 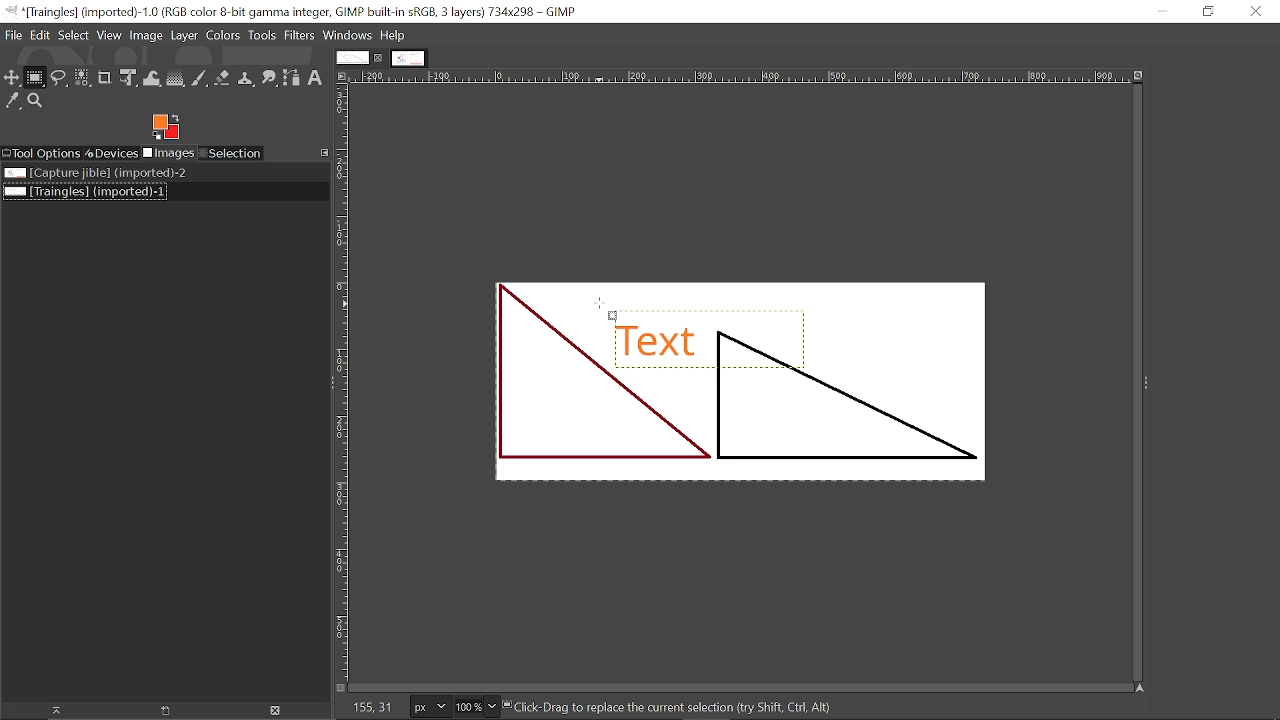 I want to click on Rectangular select, so click(x=36, y=77).